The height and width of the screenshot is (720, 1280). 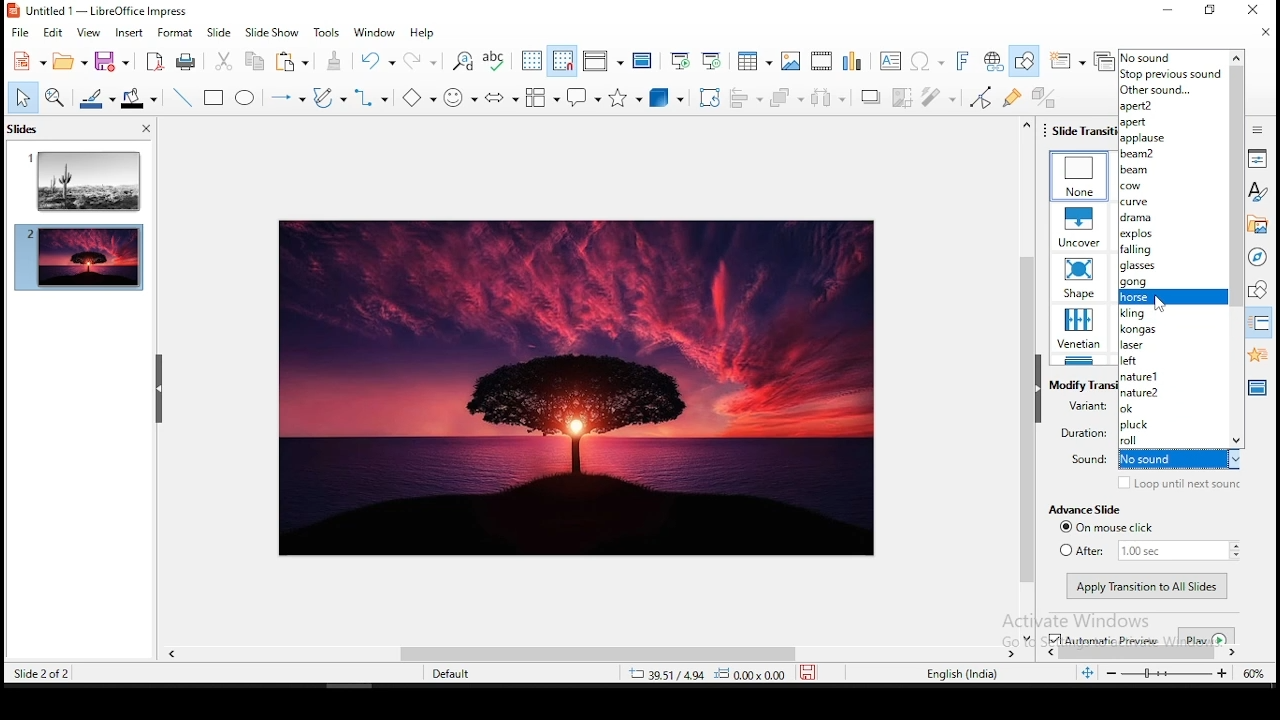 I want to click on slide 2 of 2, so click(x=40, y=676).